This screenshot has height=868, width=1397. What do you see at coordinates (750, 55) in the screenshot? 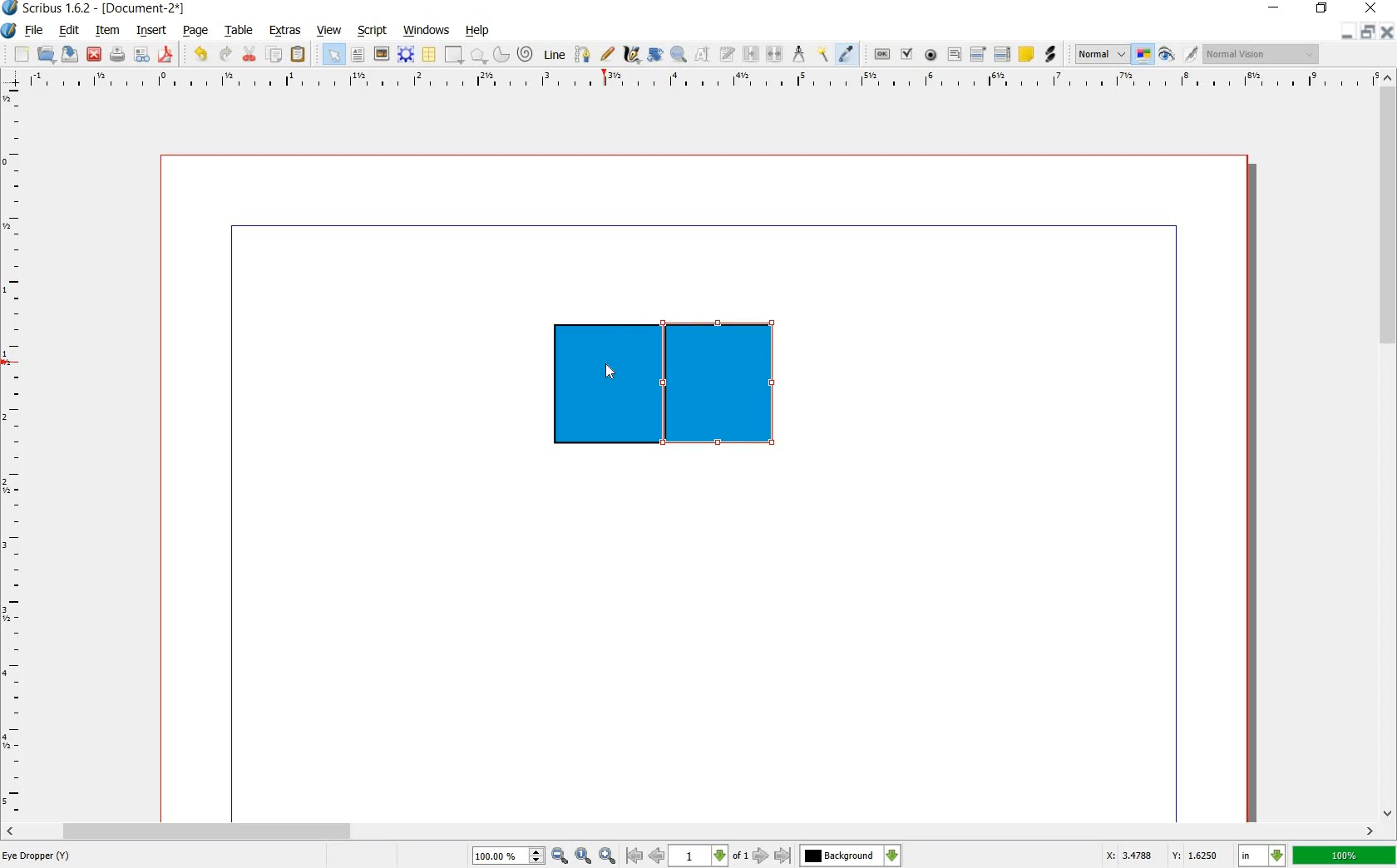
I see `link text frame` at bounding box center [750, 55].